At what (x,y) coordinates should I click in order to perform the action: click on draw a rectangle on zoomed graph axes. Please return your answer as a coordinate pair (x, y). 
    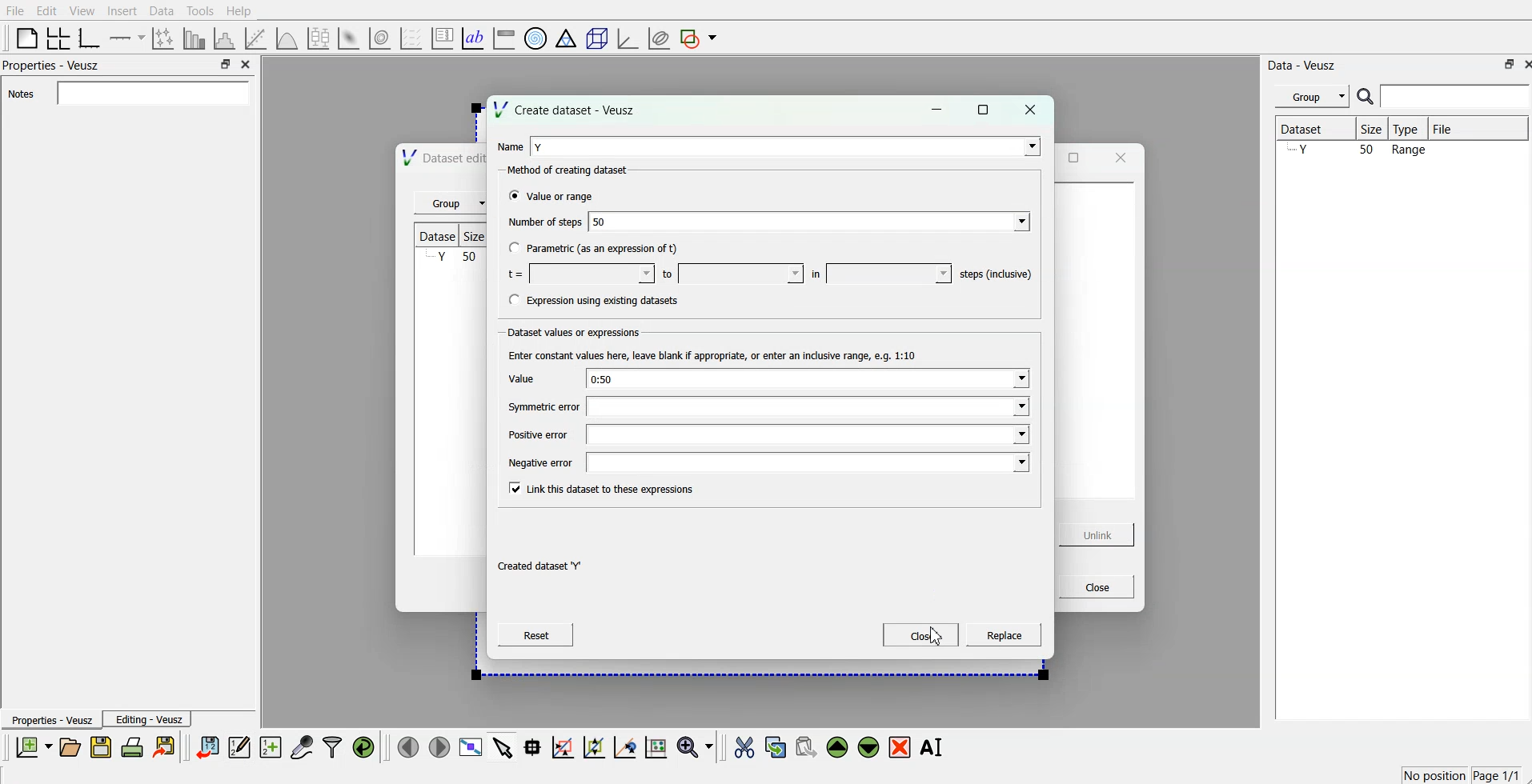
    Looking at the image, I should click on (563, 749).